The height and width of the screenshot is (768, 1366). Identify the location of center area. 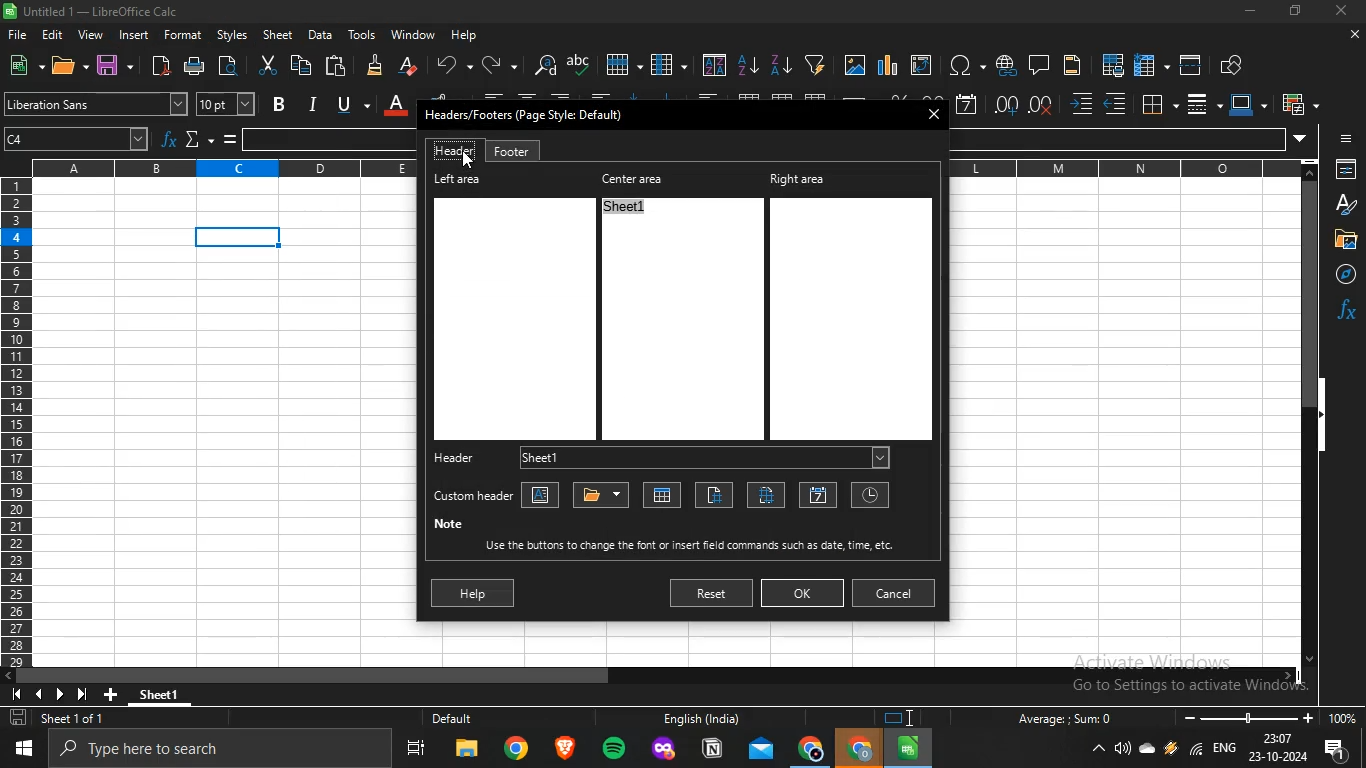
(680, 302).